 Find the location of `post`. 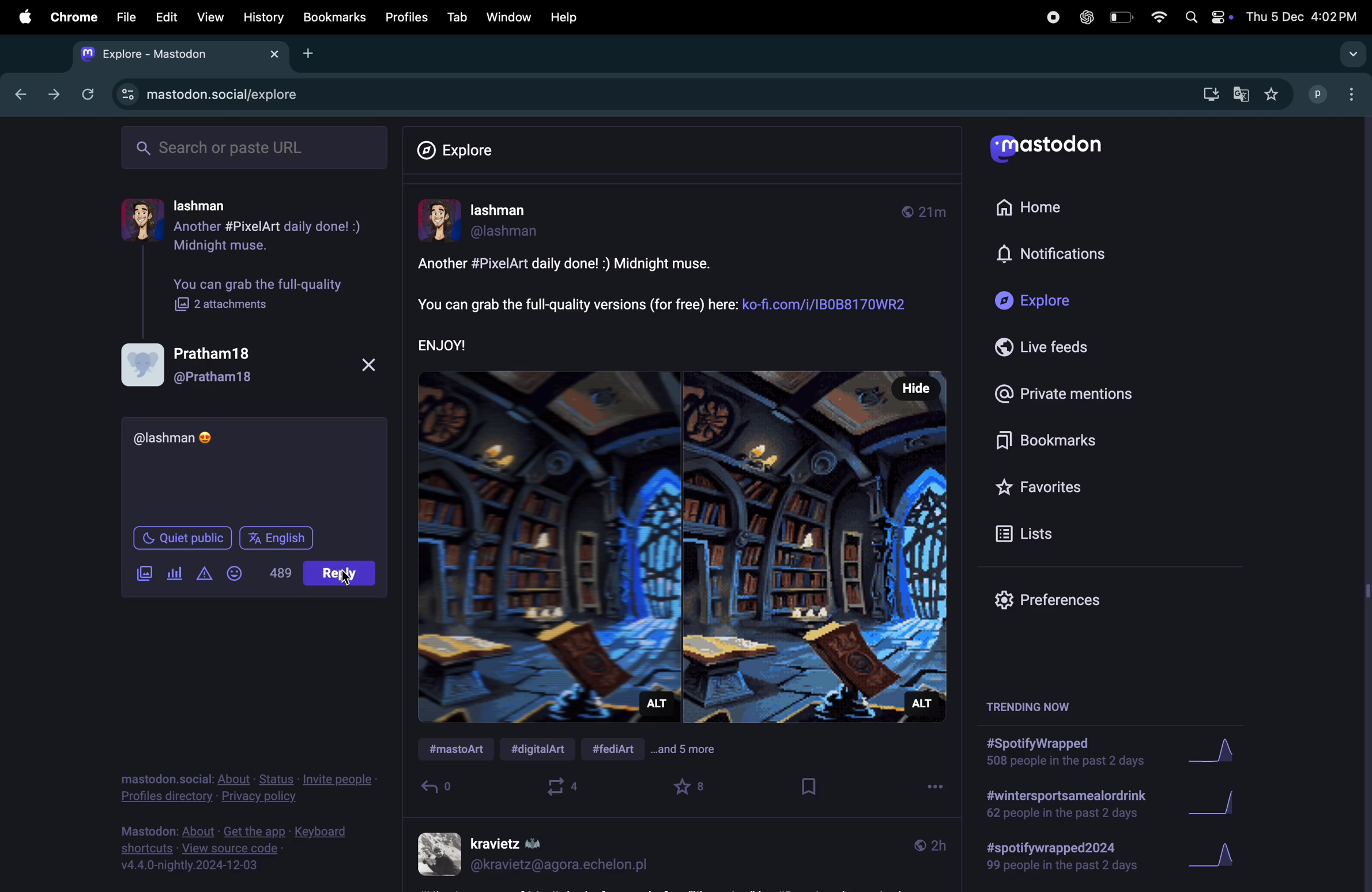

post is located at coordinates (340, 573).